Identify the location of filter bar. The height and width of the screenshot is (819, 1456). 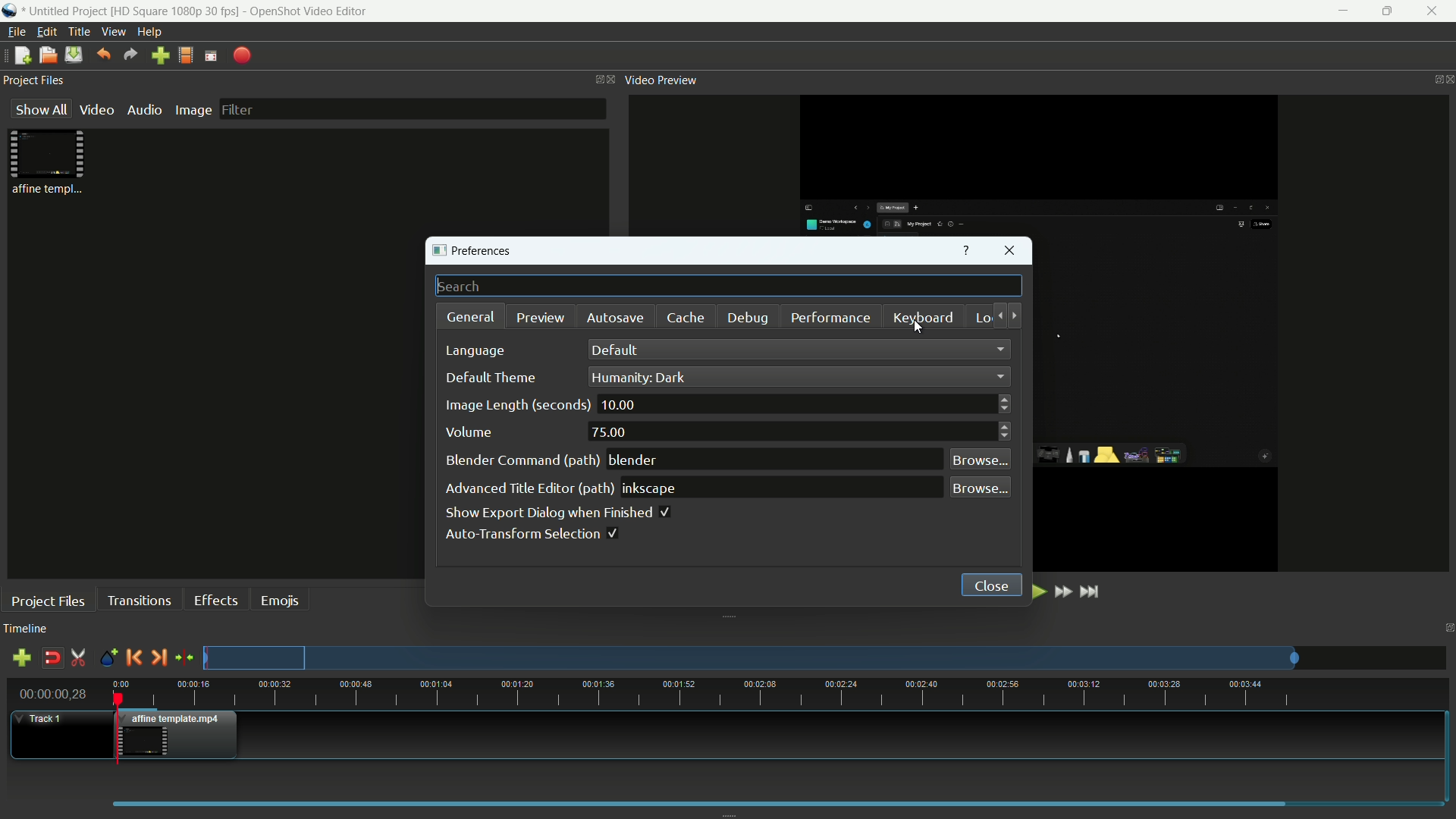
(411, 108).